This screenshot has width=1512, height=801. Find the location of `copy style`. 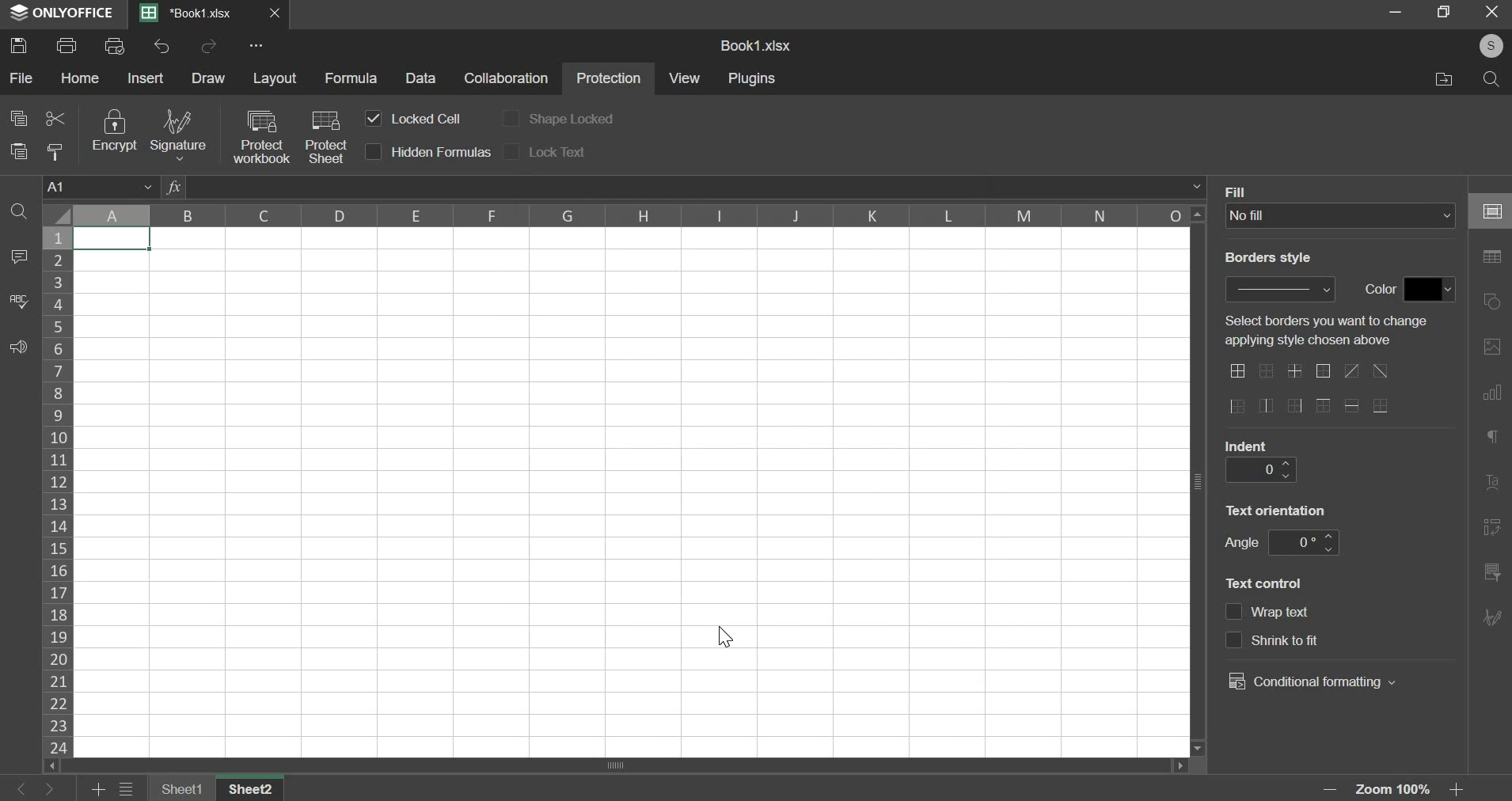

copy style is located at coordinates (57, 152).